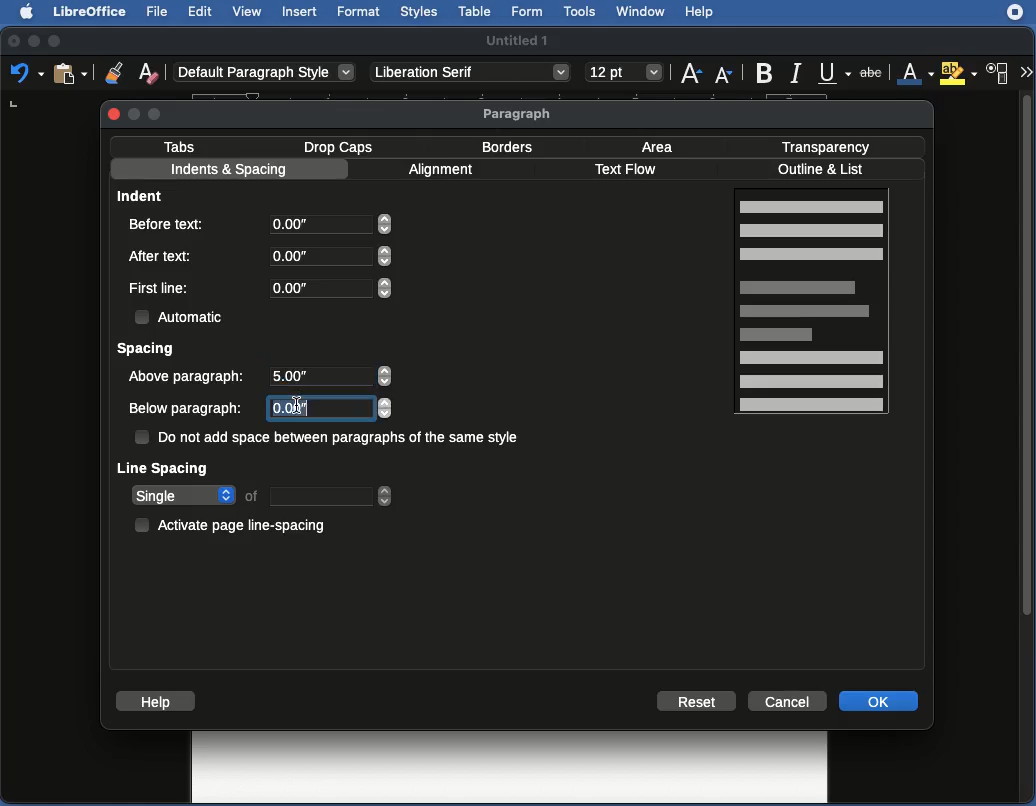 This screenshot has height=806, width=1036. Describe the element at coordinates (189, 376) in the screenshot. I see `Above paragraph` at that location.